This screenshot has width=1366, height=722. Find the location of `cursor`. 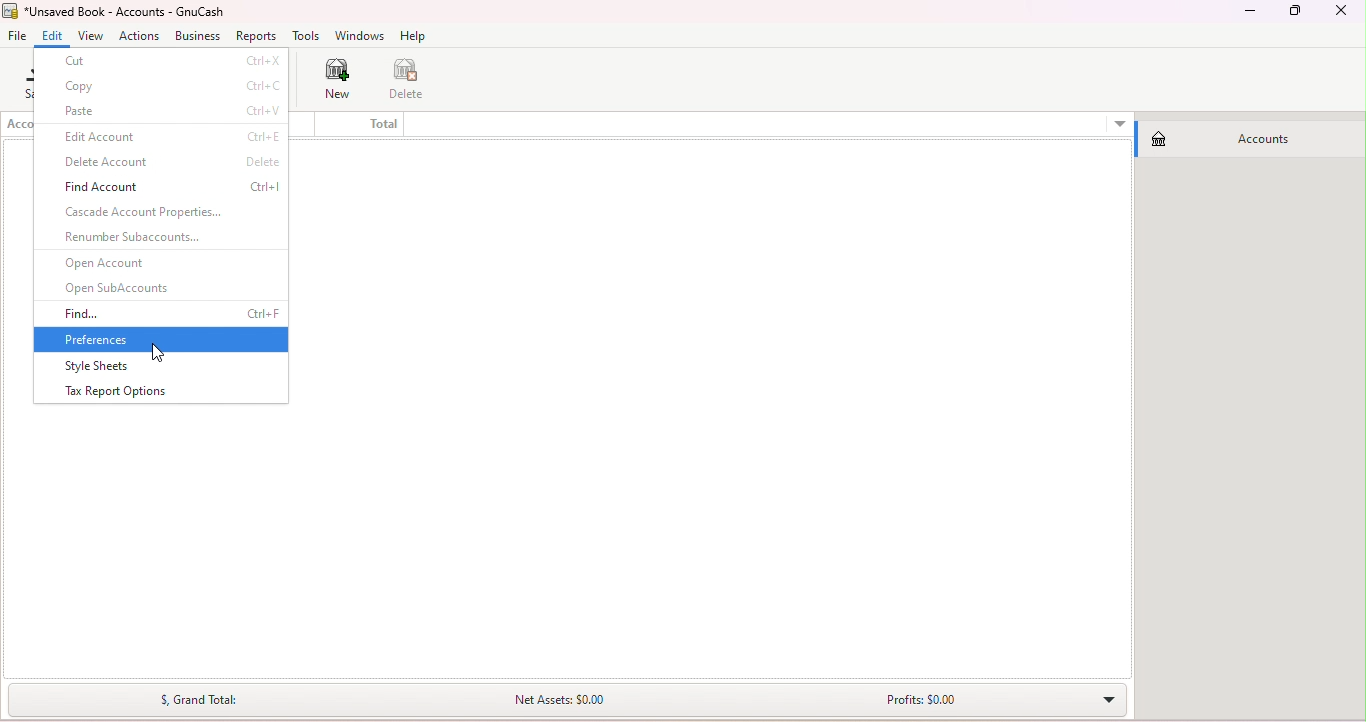

cursor is located at coordinates (158, 350).